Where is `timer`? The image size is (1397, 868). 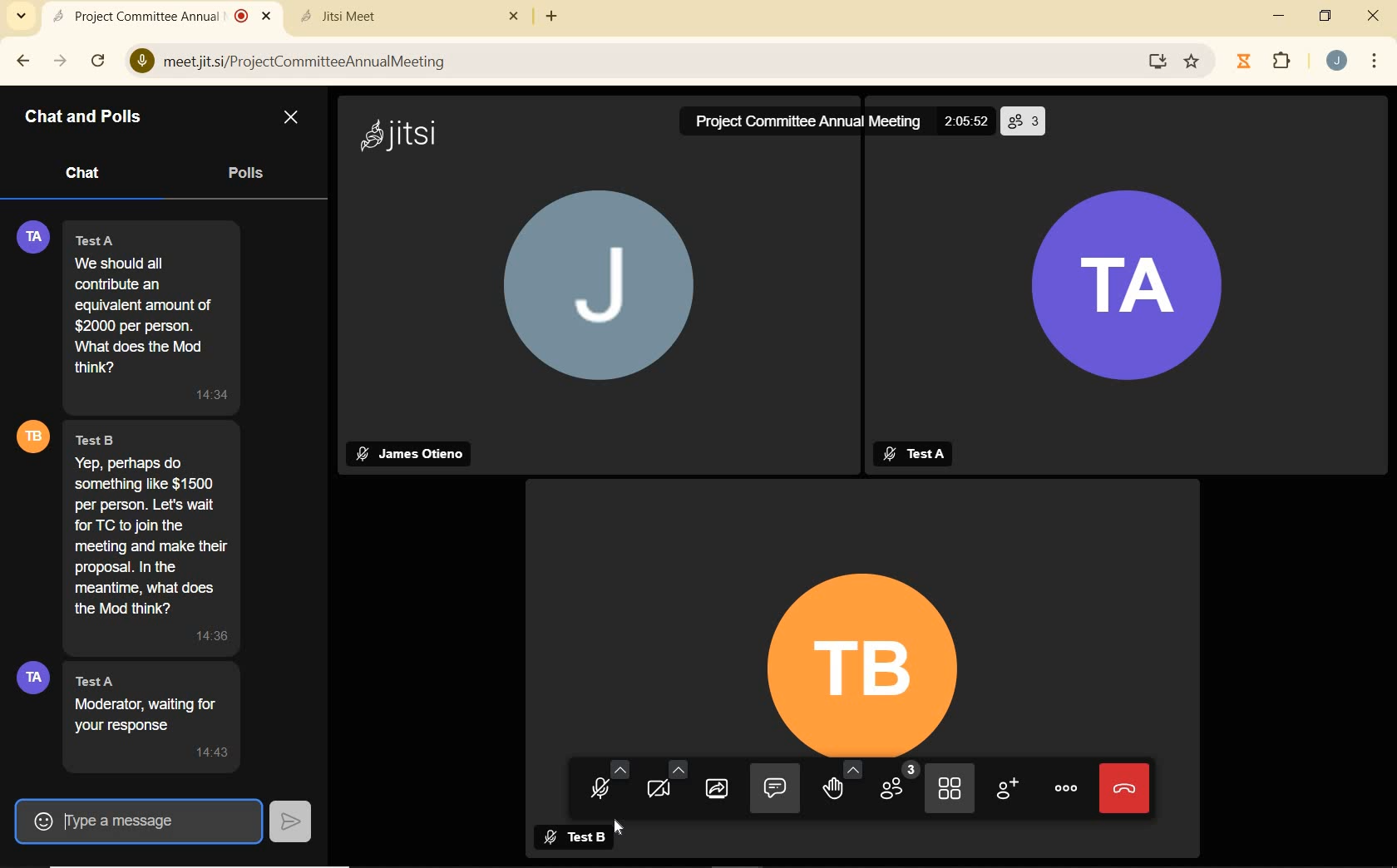 timer is located at coordinates (1242, 62).